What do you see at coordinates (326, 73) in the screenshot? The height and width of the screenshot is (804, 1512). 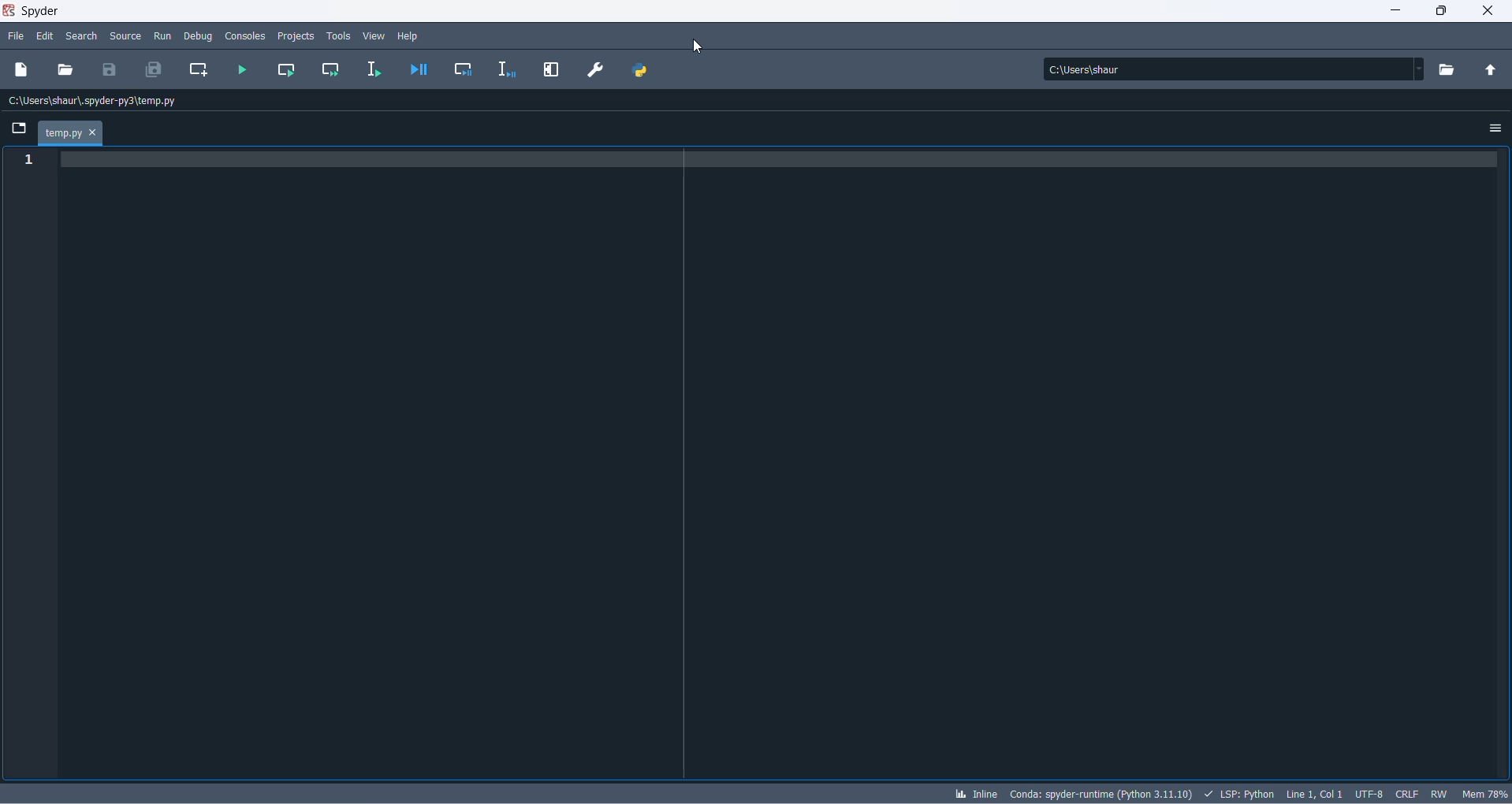 I see `run current cell` at bounding box center [326, 73].